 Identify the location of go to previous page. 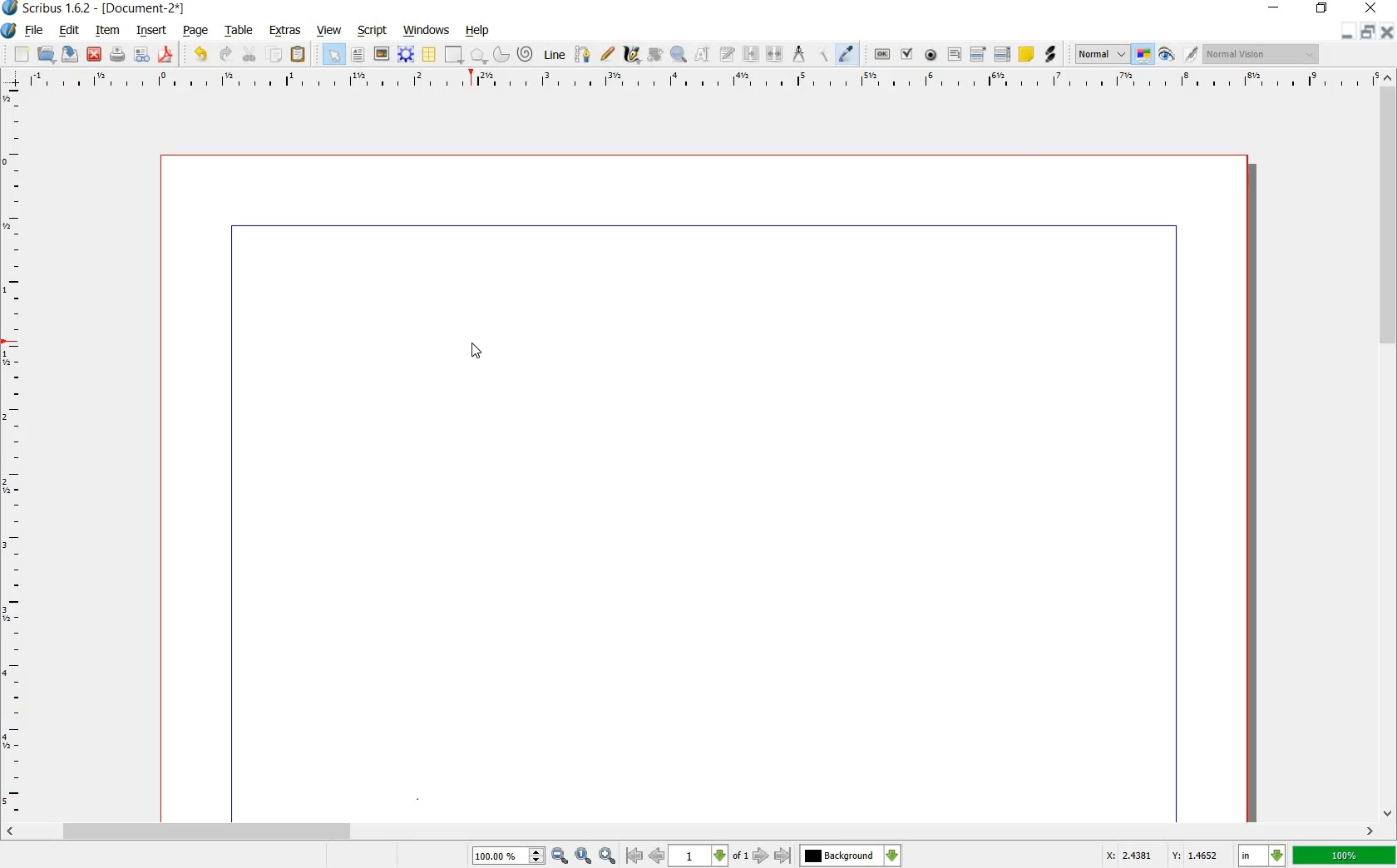
(656, 856).